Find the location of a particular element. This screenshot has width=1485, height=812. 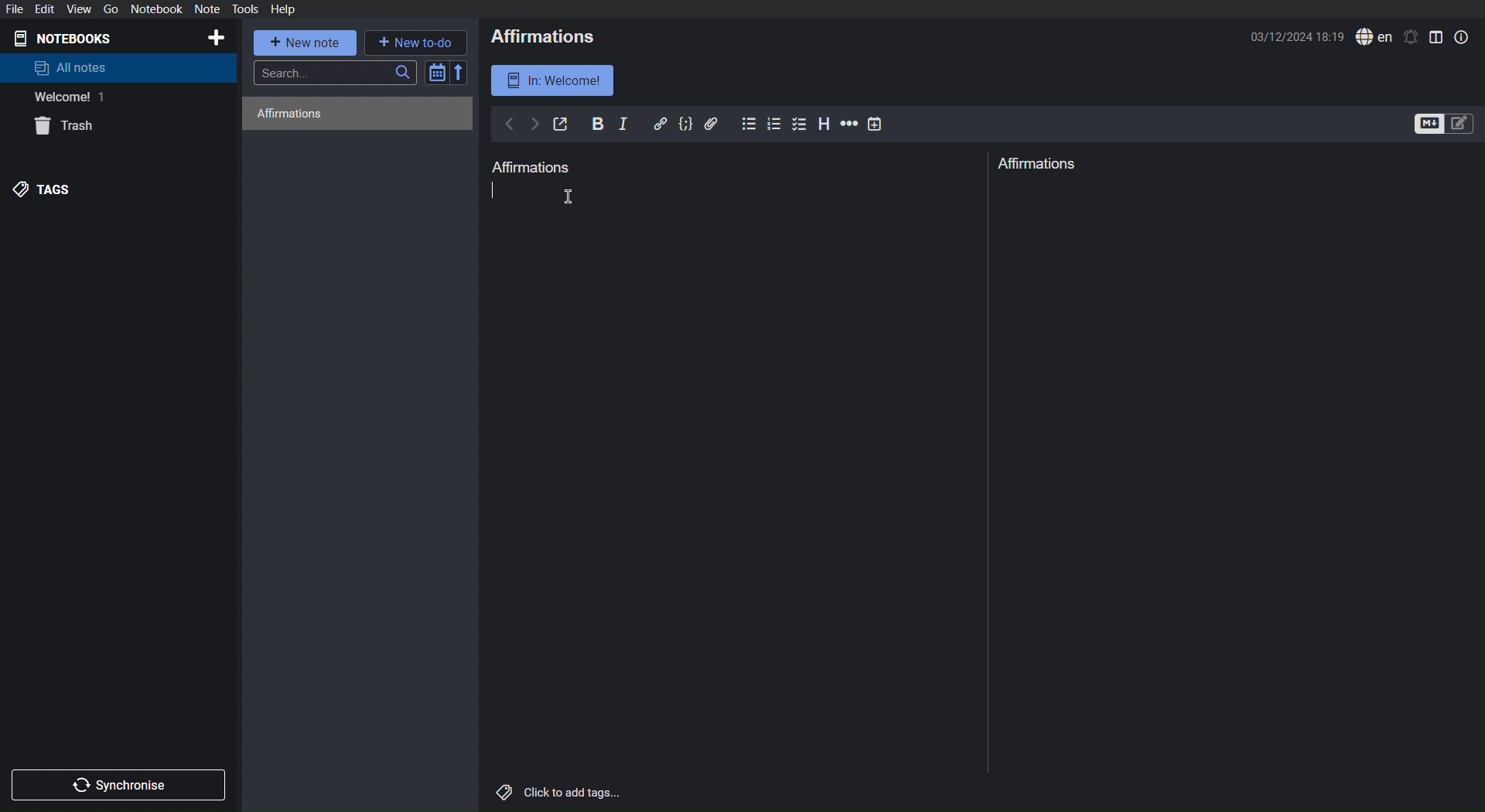

Toggle editor layout is located at coordinates (1437, 36).